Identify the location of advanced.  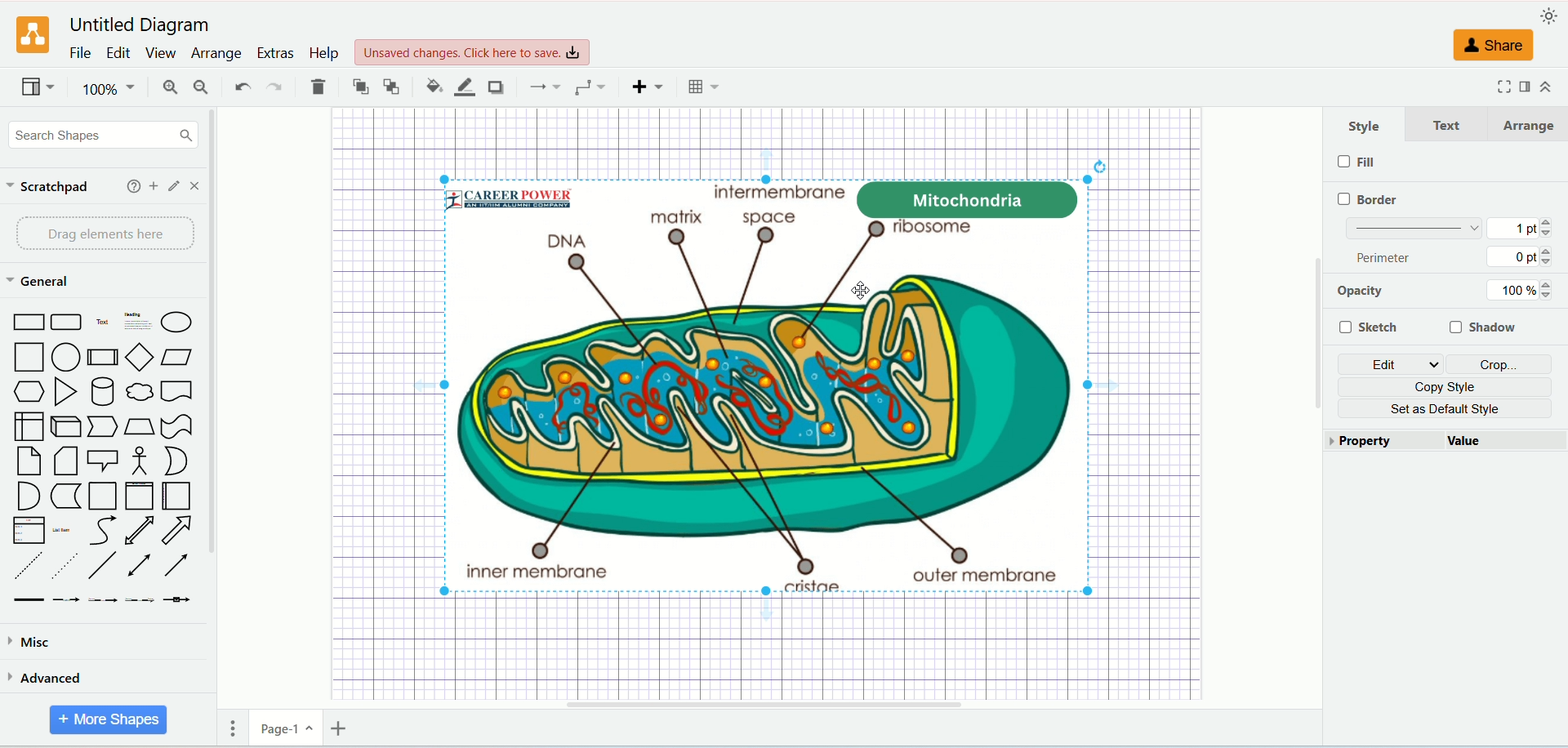
(47, 677).